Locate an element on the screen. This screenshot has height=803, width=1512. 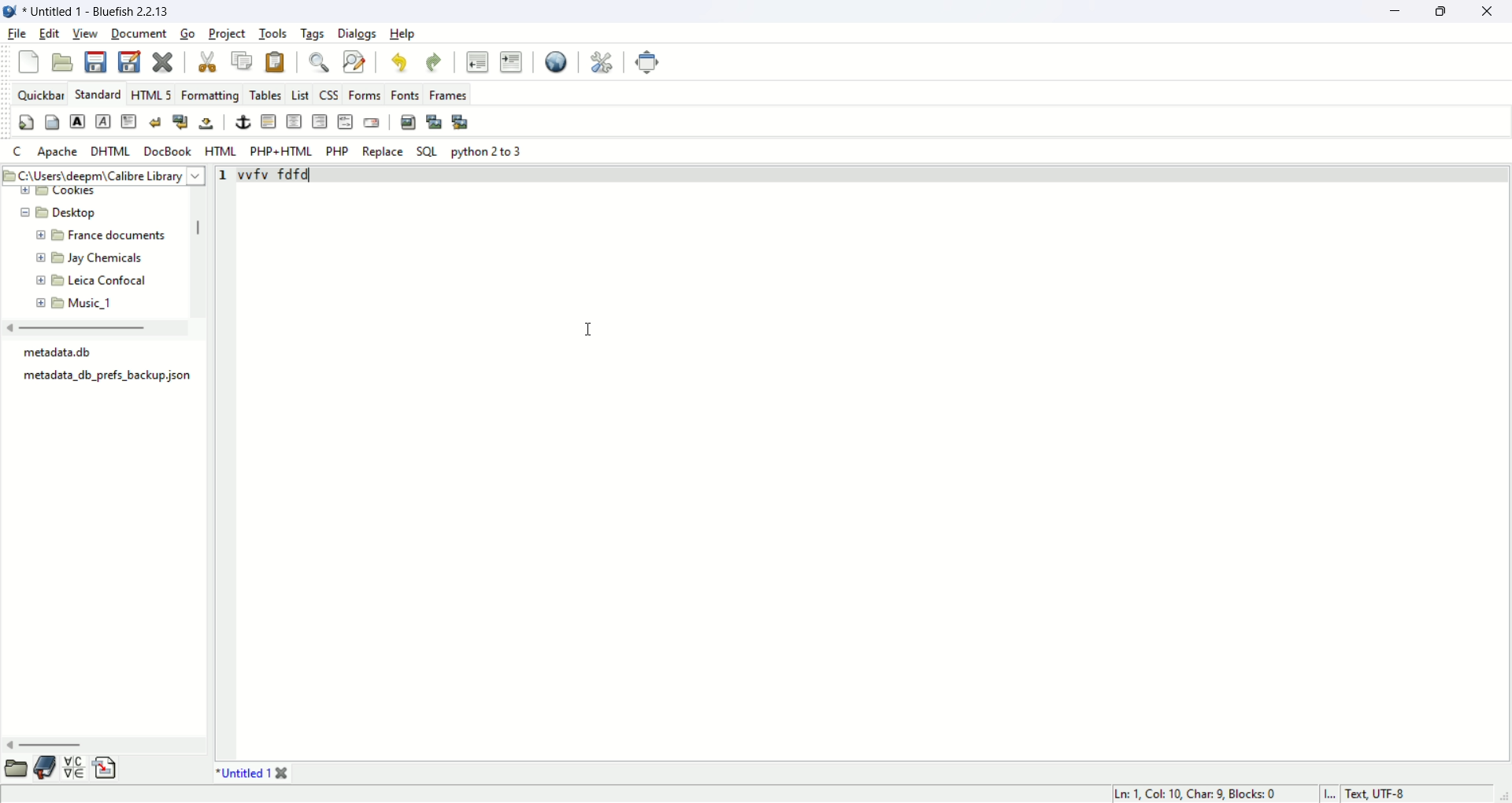
file is located at coordinates (17, 35).